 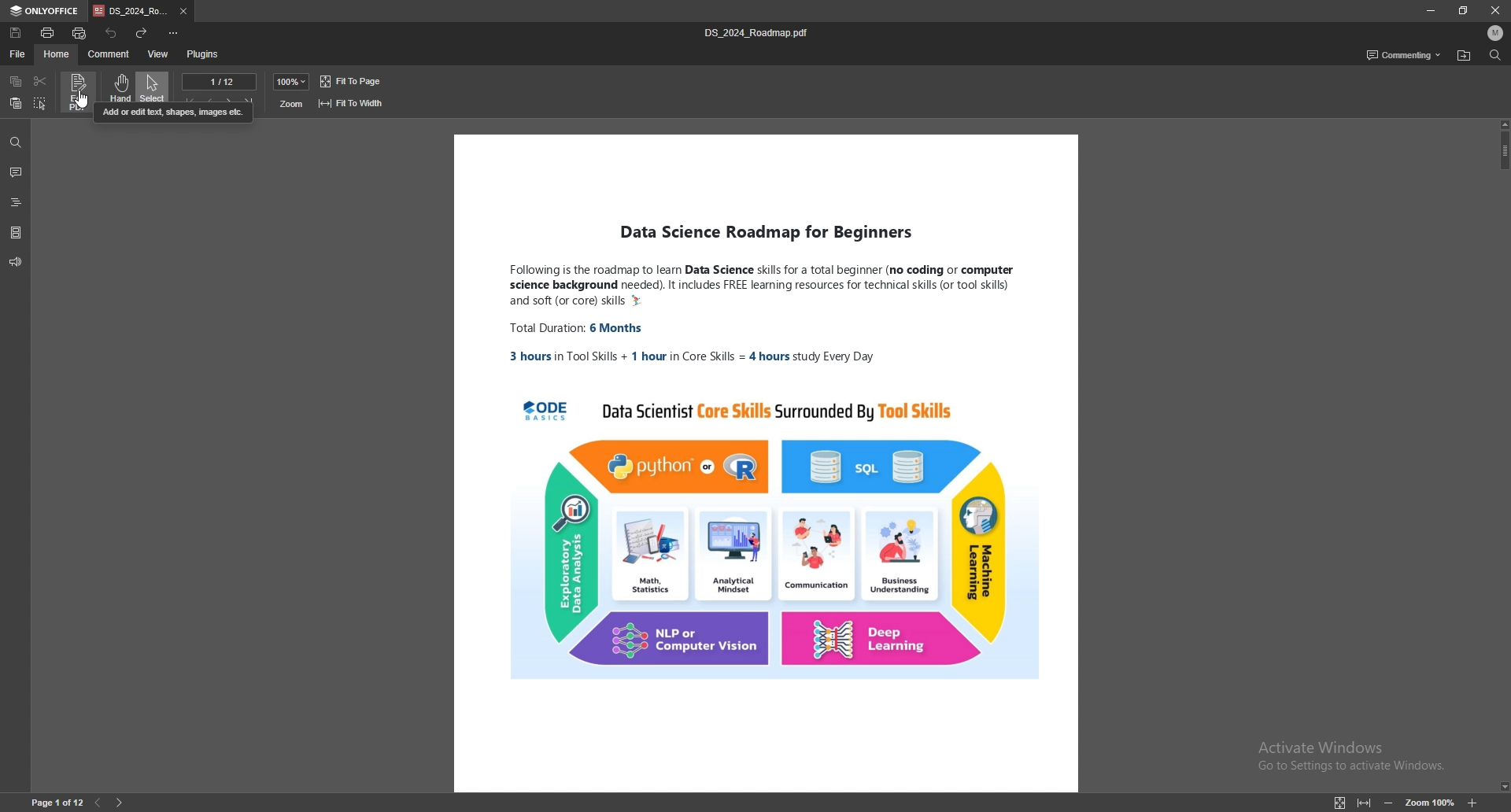 I want to click on fit to width, so click(x=1365, y=803).